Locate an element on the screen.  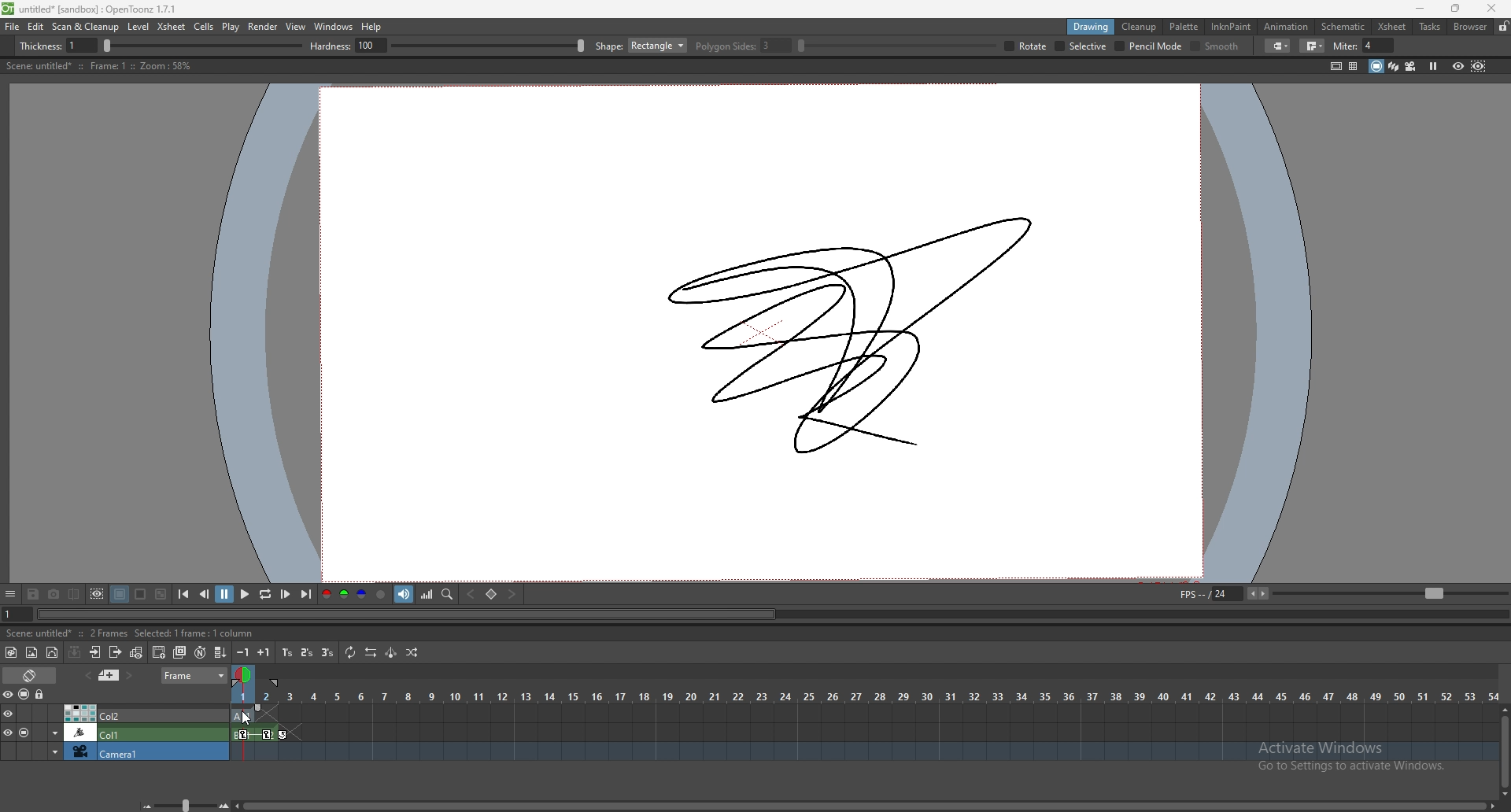
camera stand view is located at coordinates (1375, 66).